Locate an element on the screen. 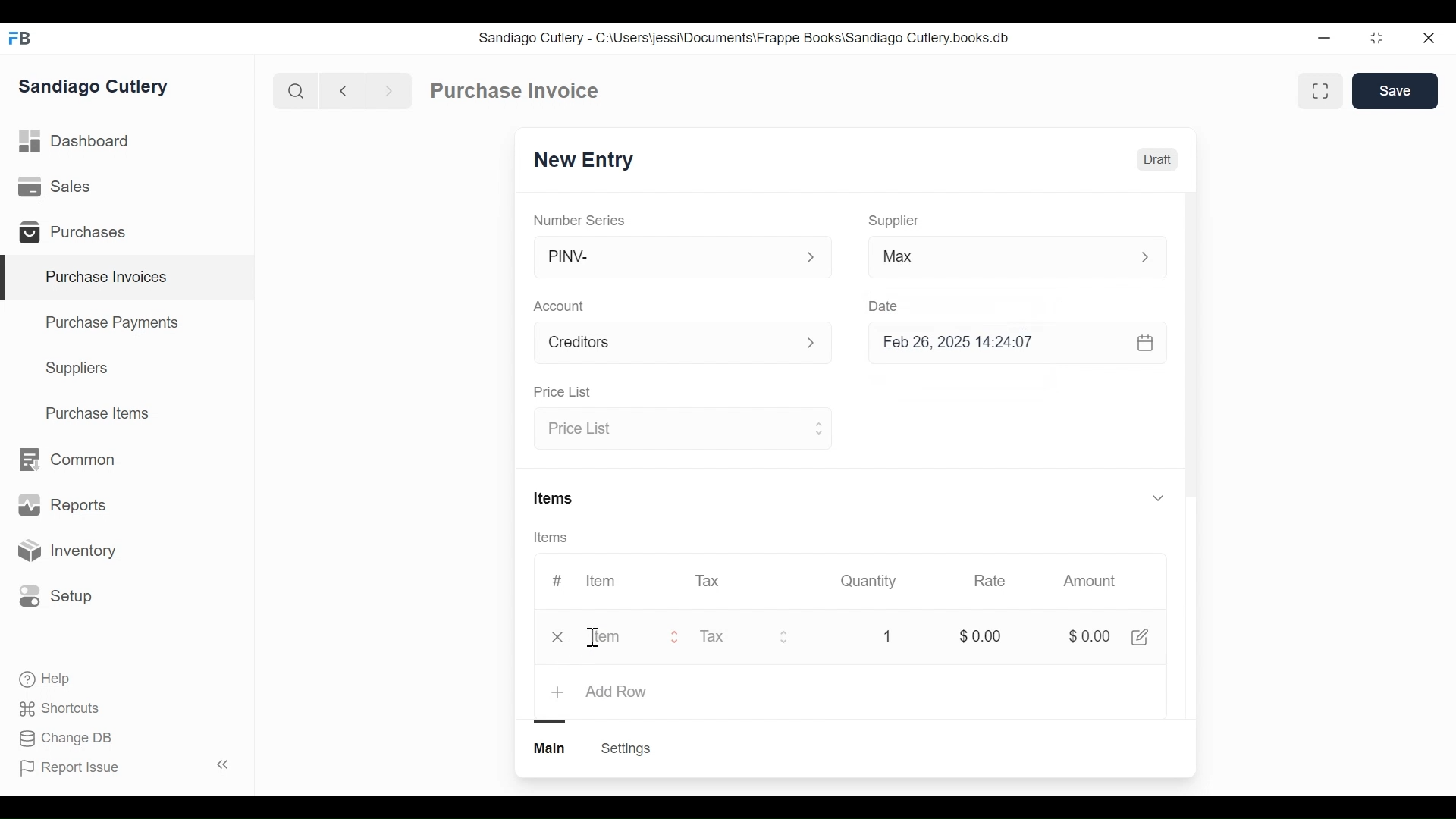  Max is located at coordinates (987, 259).